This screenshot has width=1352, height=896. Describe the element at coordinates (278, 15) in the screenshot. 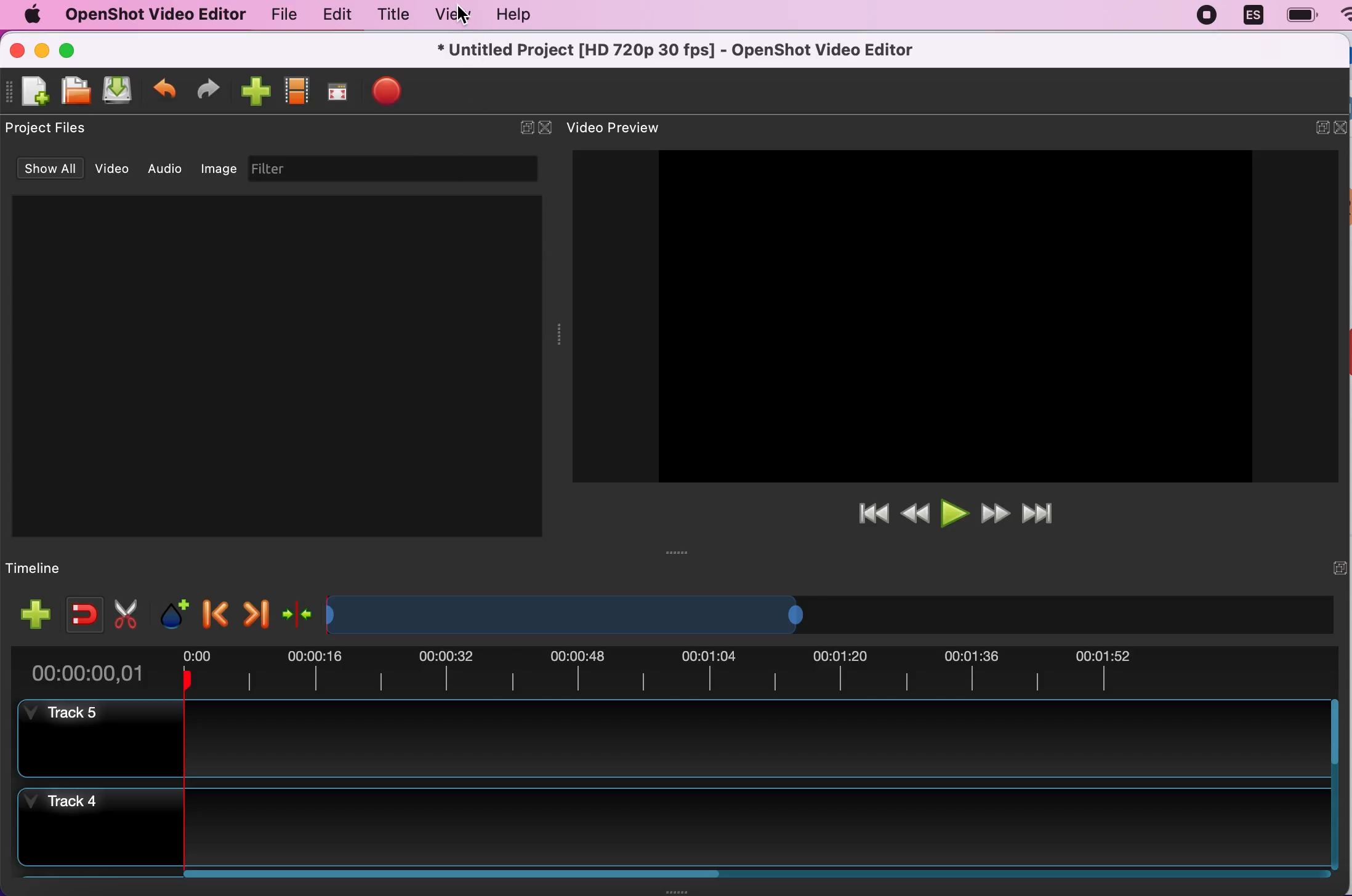

I see `file` at that location.